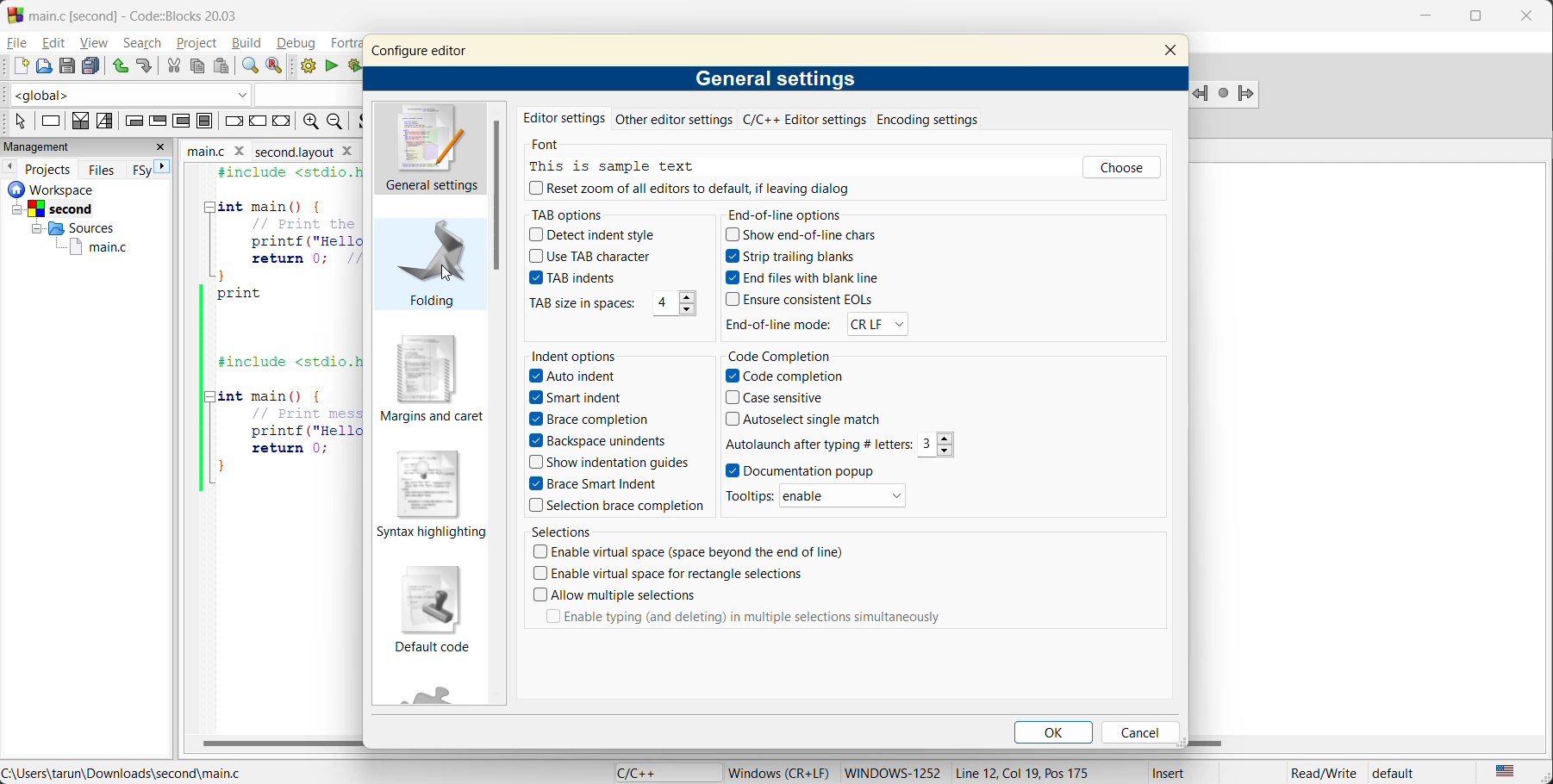 The height and width of the screenshot is (784, 1553). I want to click on selections, so click(747, 532).